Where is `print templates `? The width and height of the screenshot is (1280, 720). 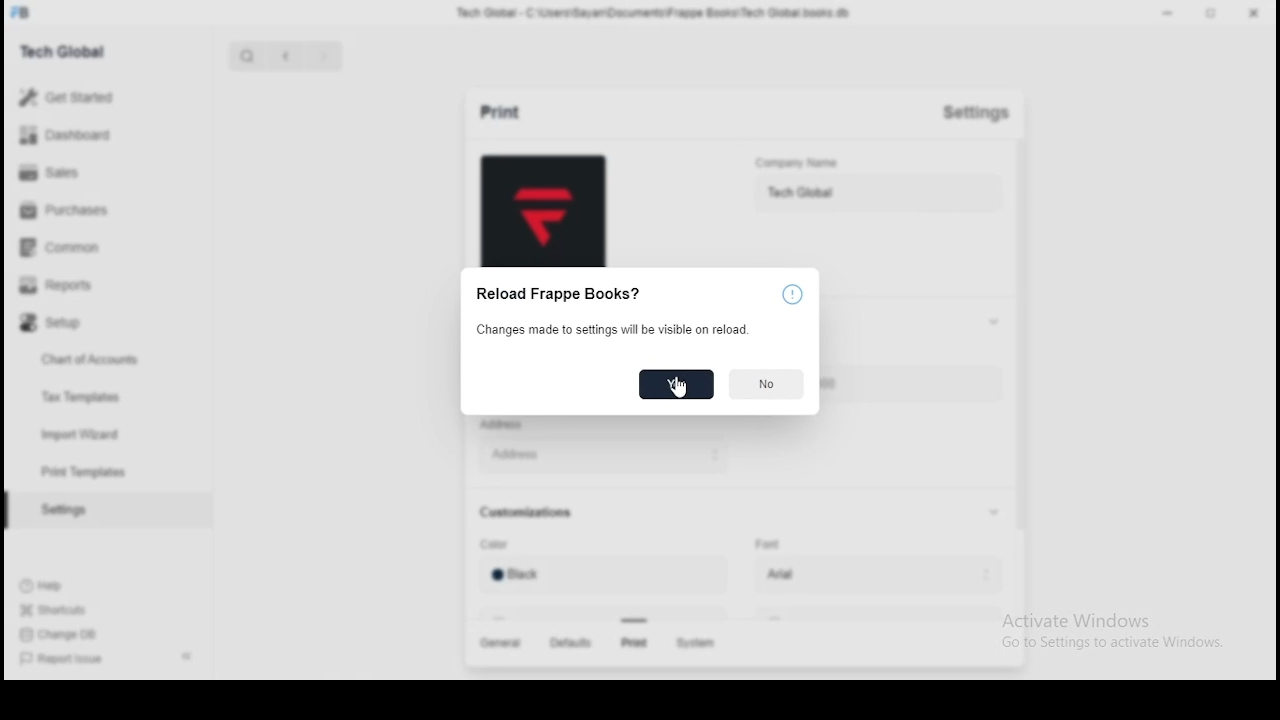
print templates  is located at coordinates (87, 472).